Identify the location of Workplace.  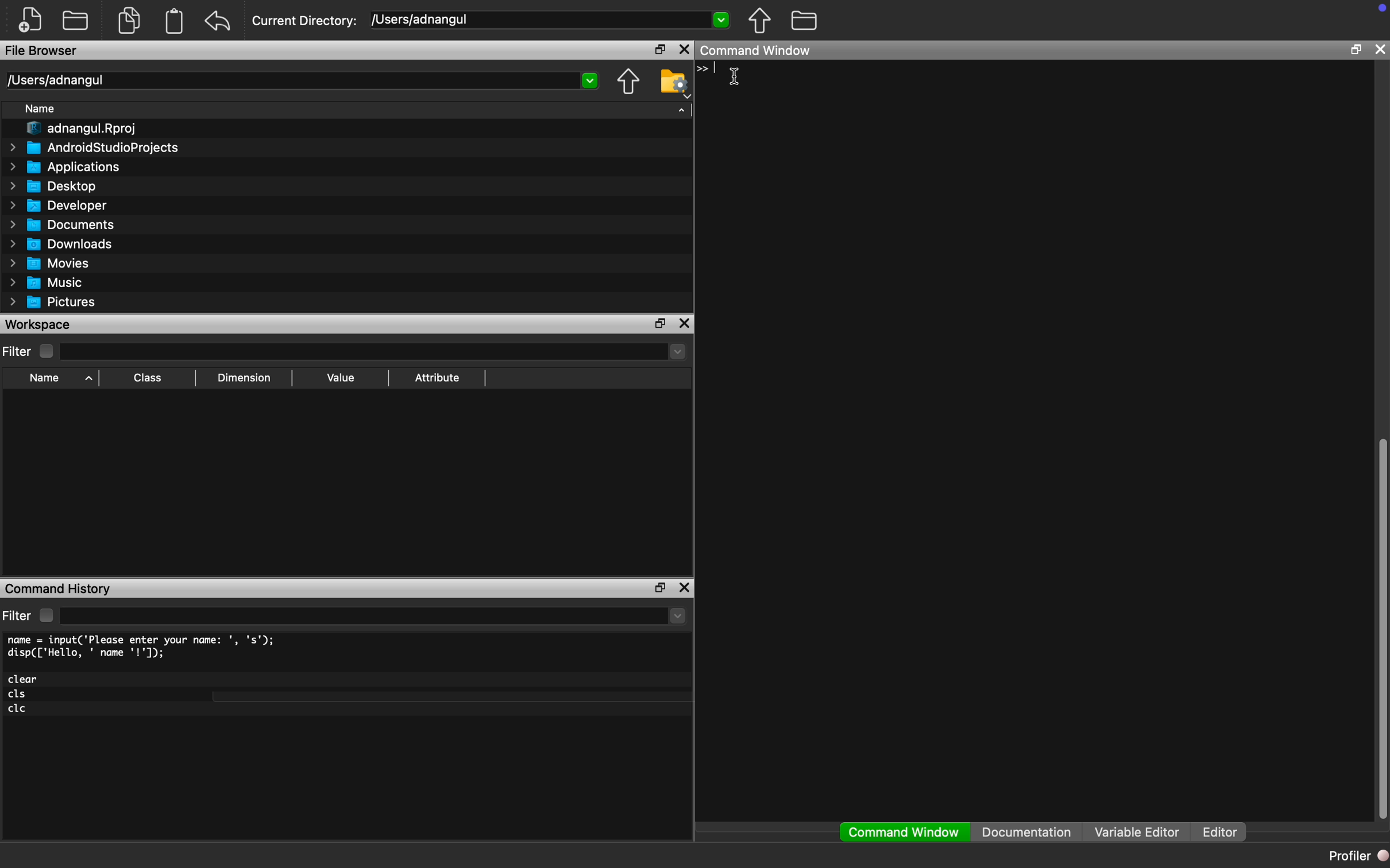
(40, 324).